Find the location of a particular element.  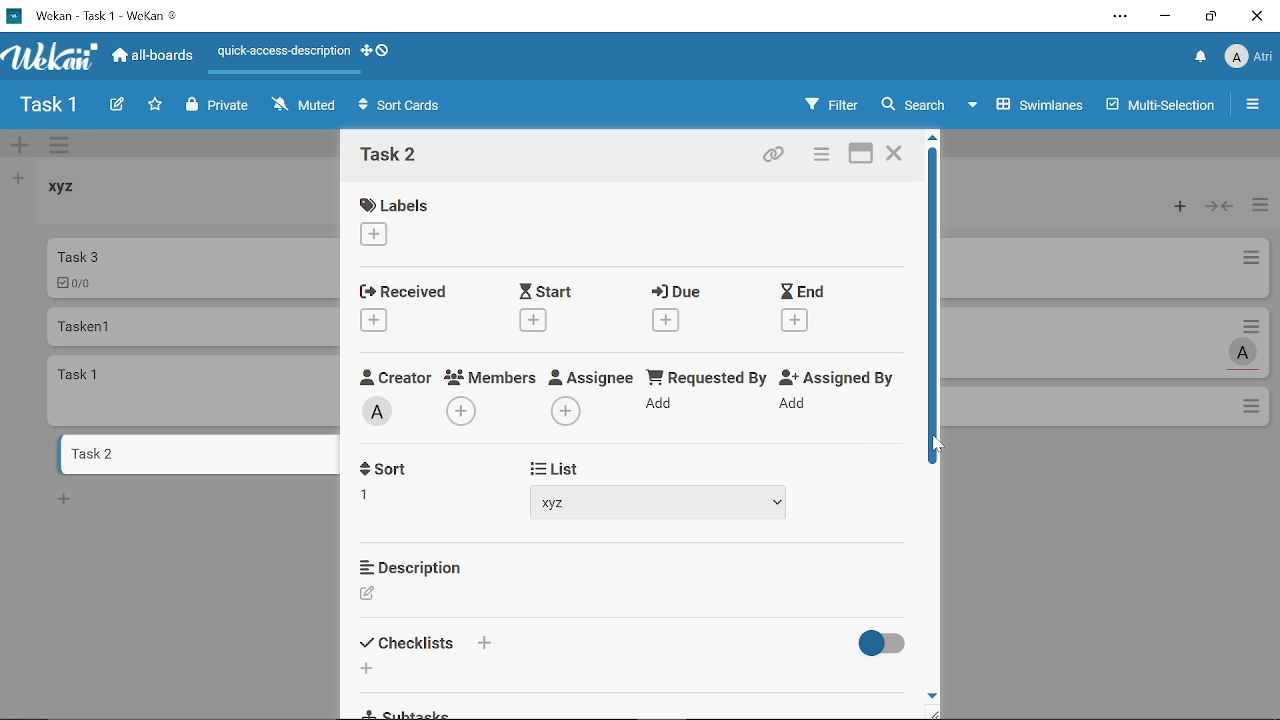

Sort is located at coordinates (380, 465).